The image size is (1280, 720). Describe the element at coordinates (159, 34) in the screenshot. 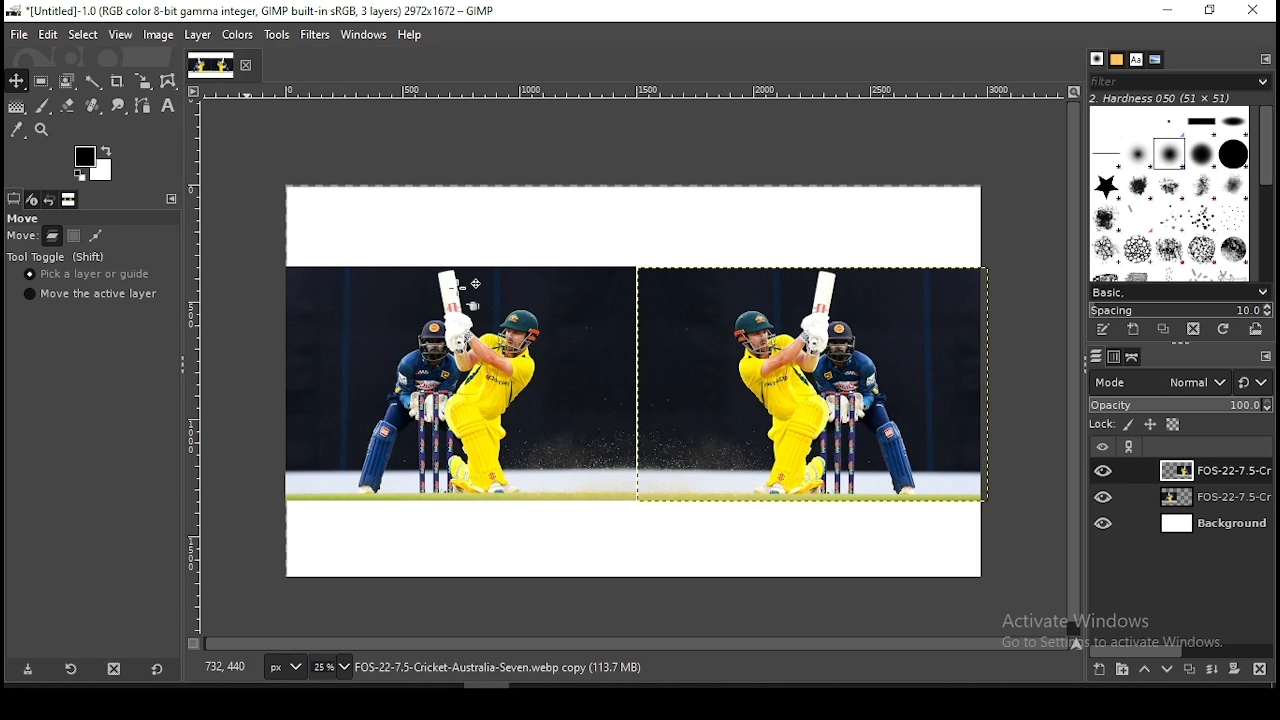

I see `image` at that location.